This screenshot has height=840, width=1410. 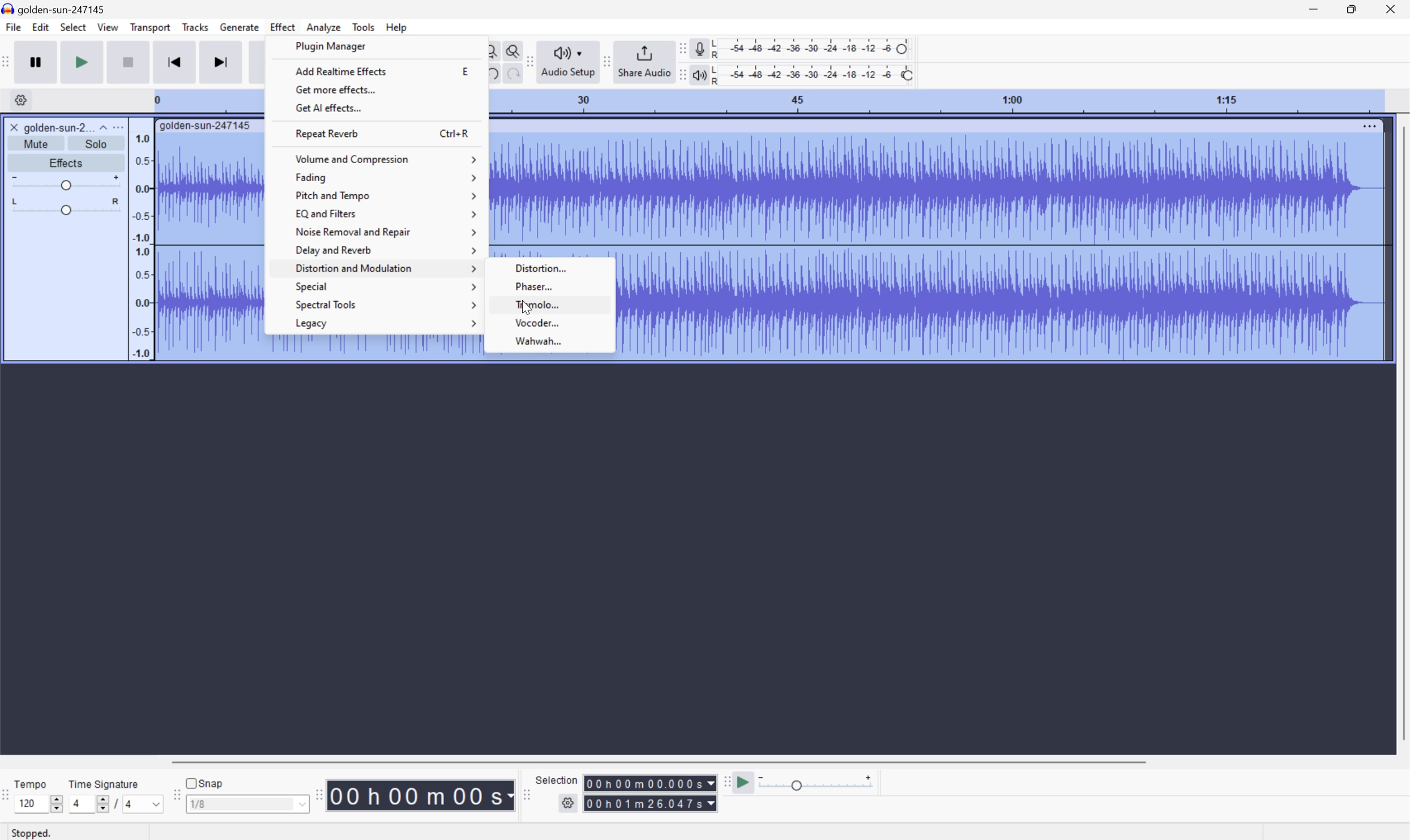 What do you see at coordinates (1368, 125) in the screenshot?
I see `More` at bounding box center [1368, 125].